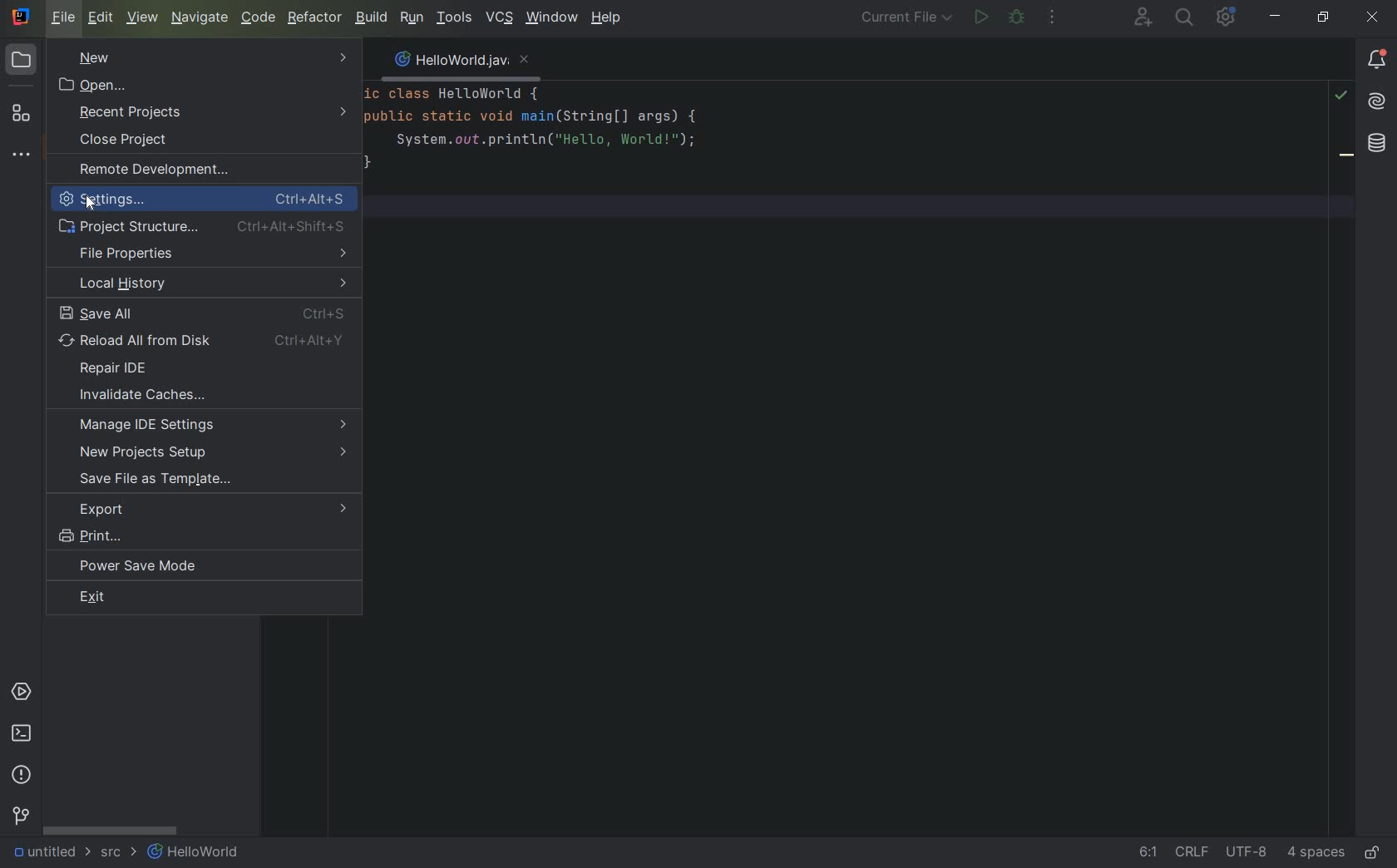  Describe the element at coordinates (210, 508) in the screenshot. I see `export` at that location.